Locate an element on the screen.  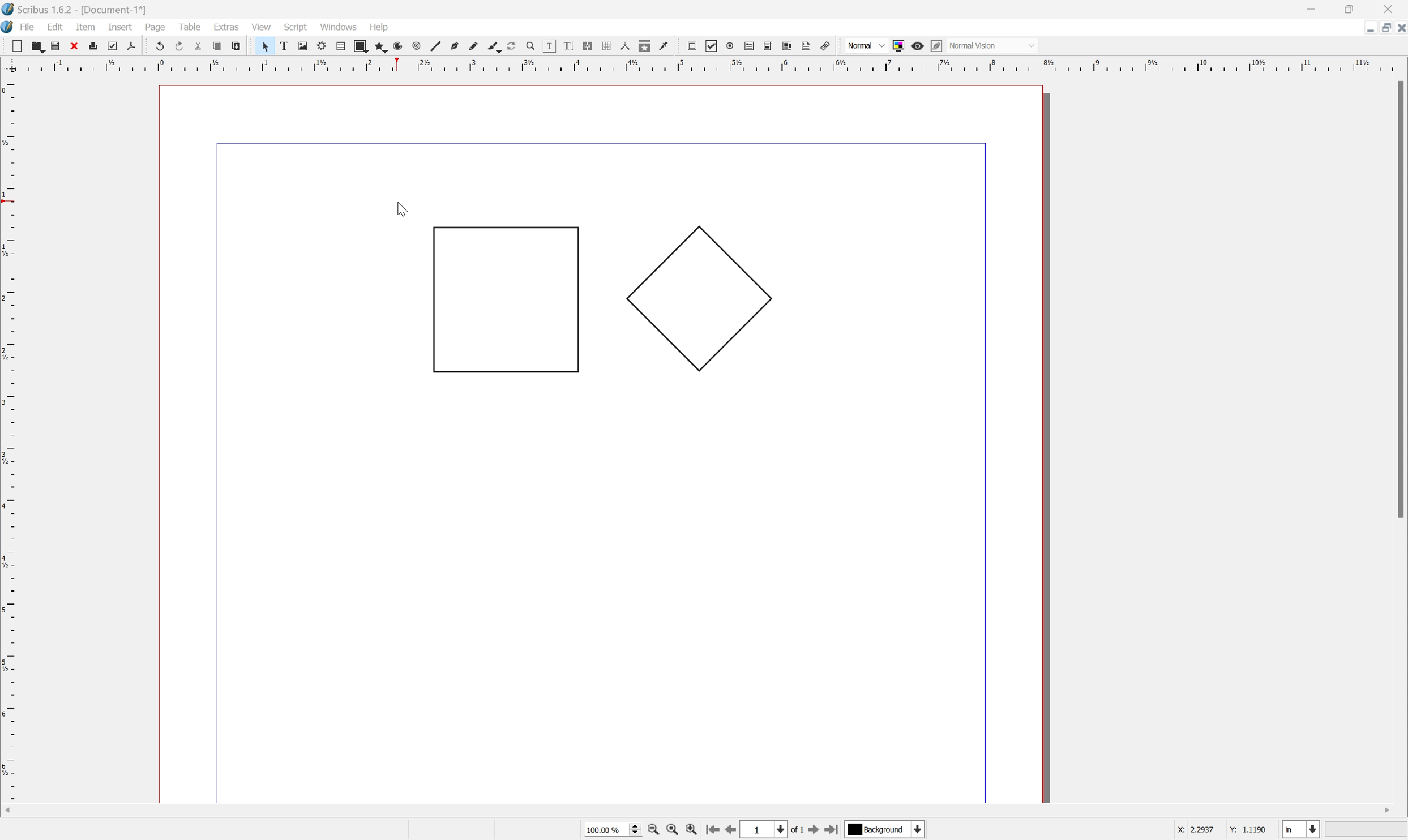
Polygon is located at coordinates (696, 299).